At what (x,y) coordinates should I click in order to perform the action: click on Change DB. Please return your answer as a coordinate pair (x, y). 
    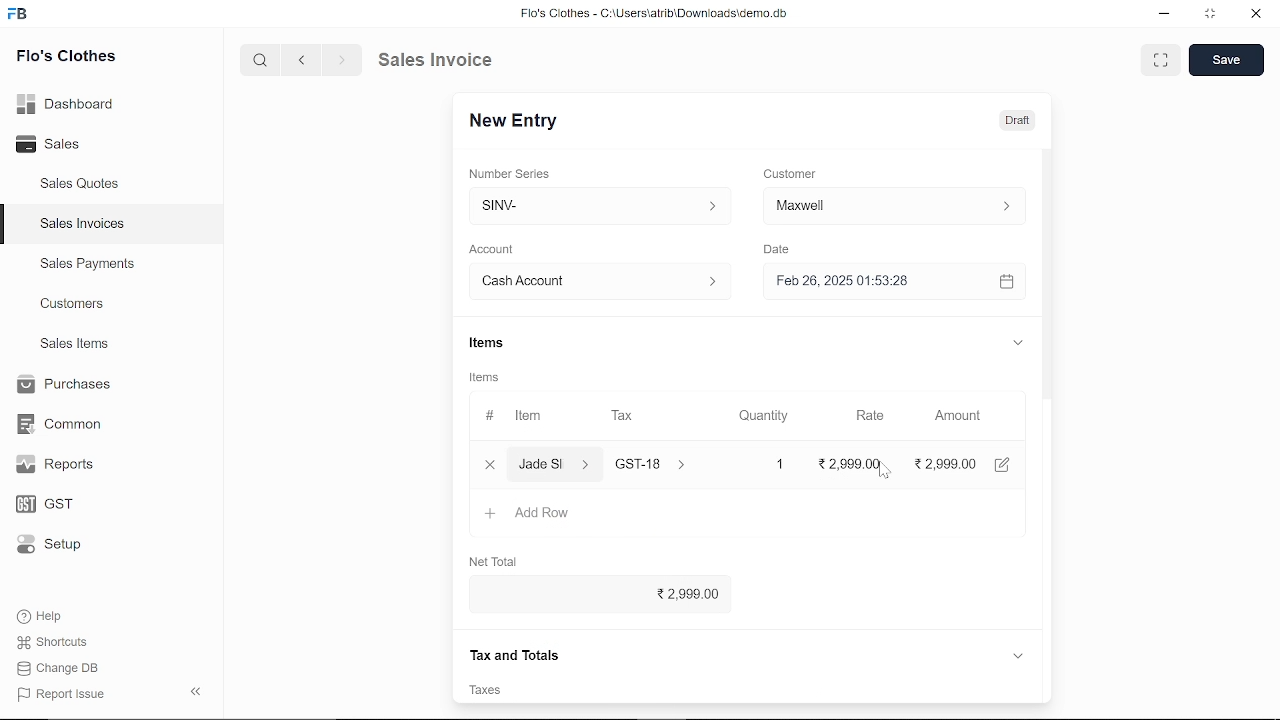
    Looking at the image, I should click on (64, 668).